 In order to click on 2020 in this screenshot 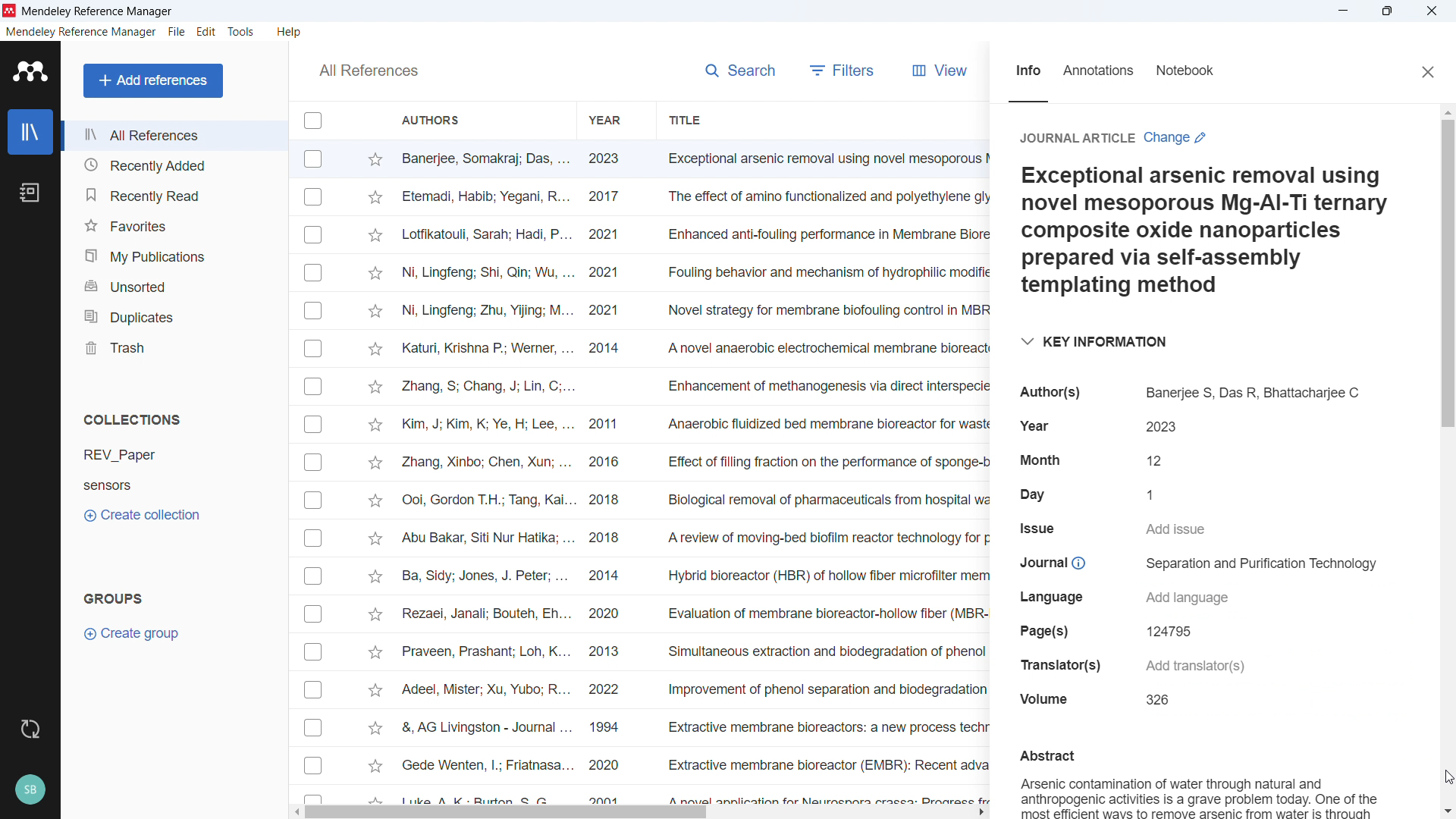, I will do `click(604, 767)`.